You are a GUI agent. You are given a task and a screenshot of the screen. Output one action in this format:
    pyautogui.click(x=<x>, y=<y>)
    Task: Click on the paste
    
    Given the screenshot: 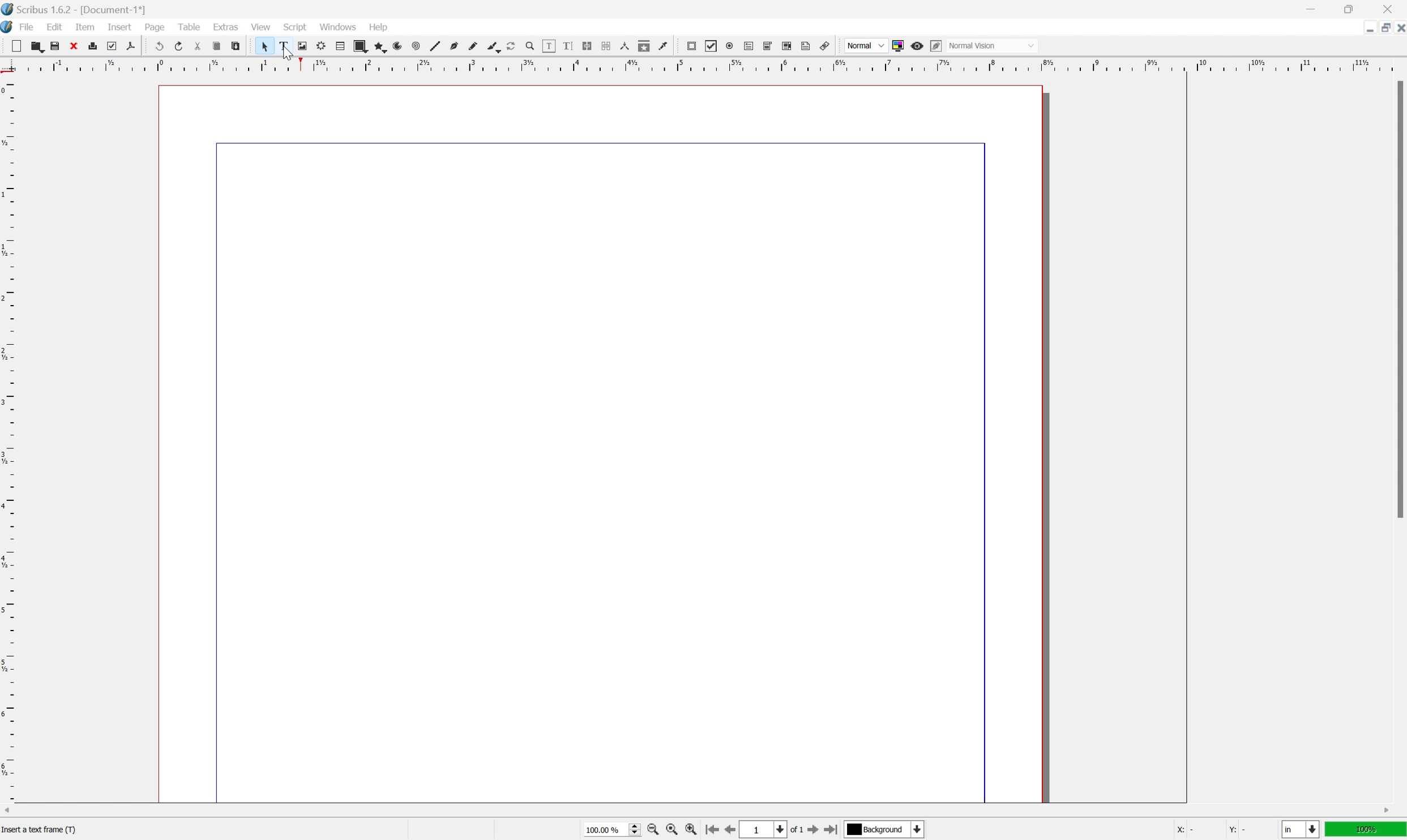 What is the action you would take?
    pyautogui.click(x=236, y=46)
    